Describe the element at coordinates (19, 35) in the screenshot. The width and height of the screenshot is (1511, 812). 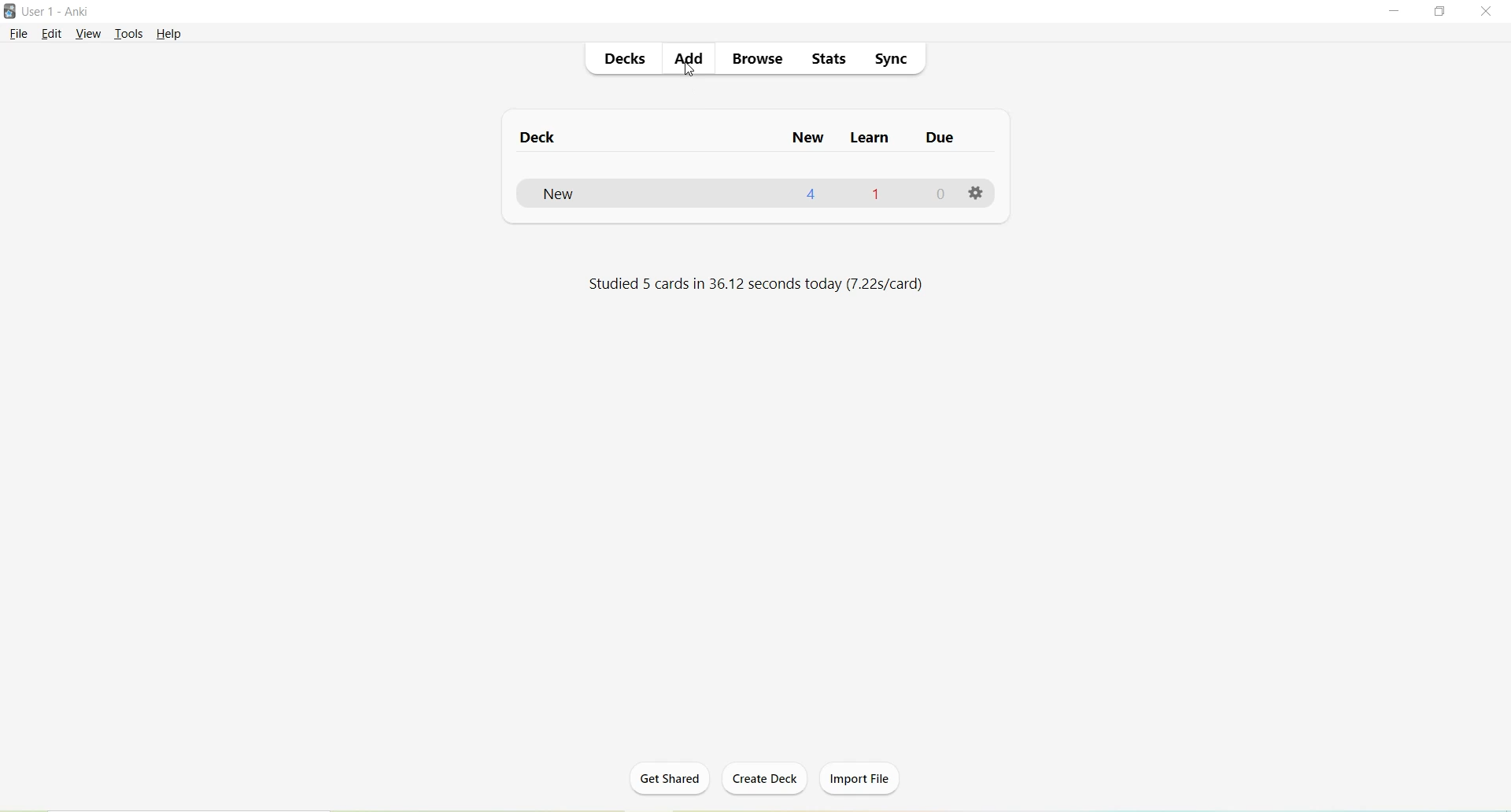
I see `File` at that location.